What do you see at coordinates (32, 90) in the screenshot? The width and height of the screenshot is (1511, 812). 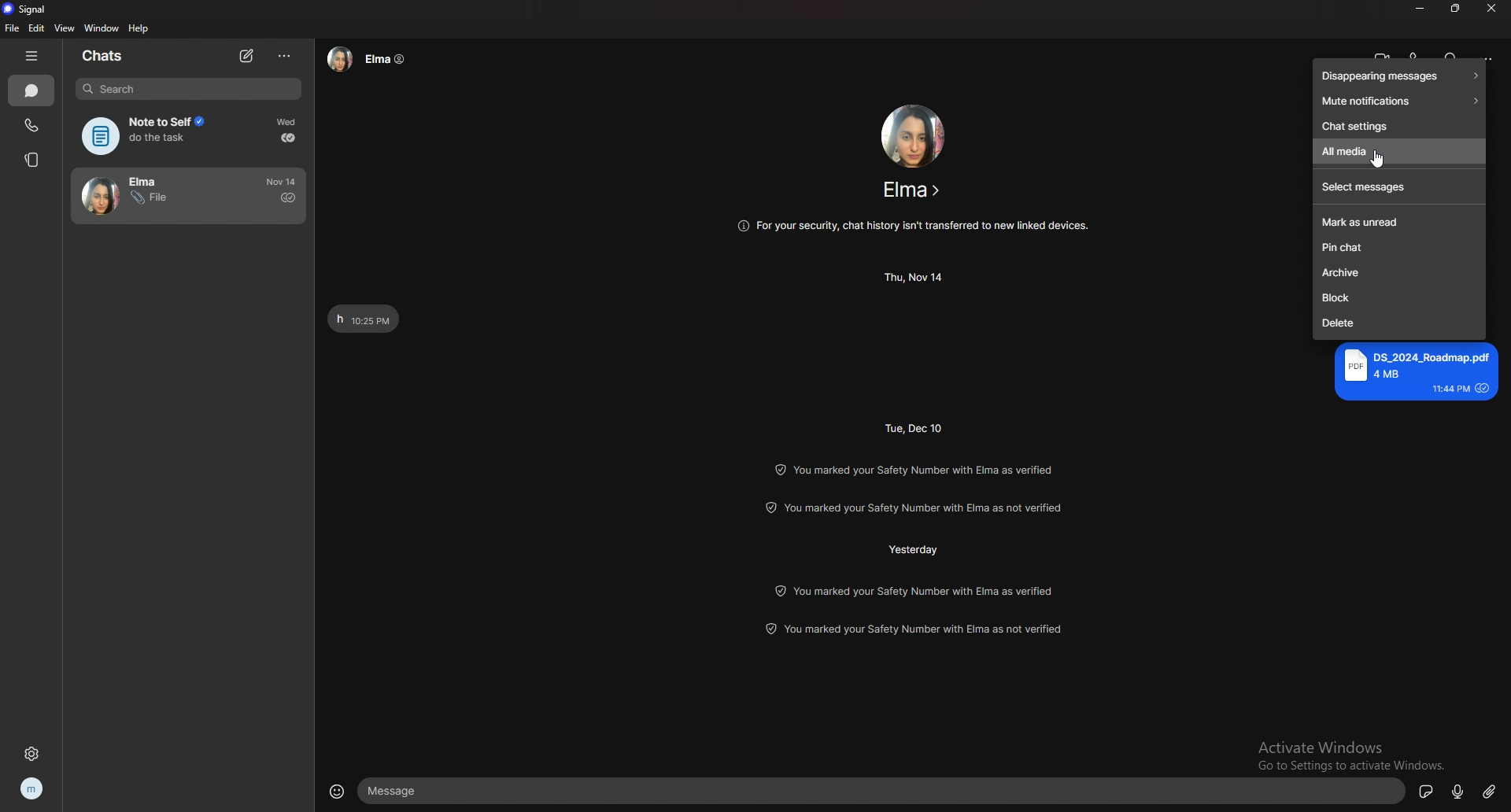 I see `chats` at bounding box center [32, 90].